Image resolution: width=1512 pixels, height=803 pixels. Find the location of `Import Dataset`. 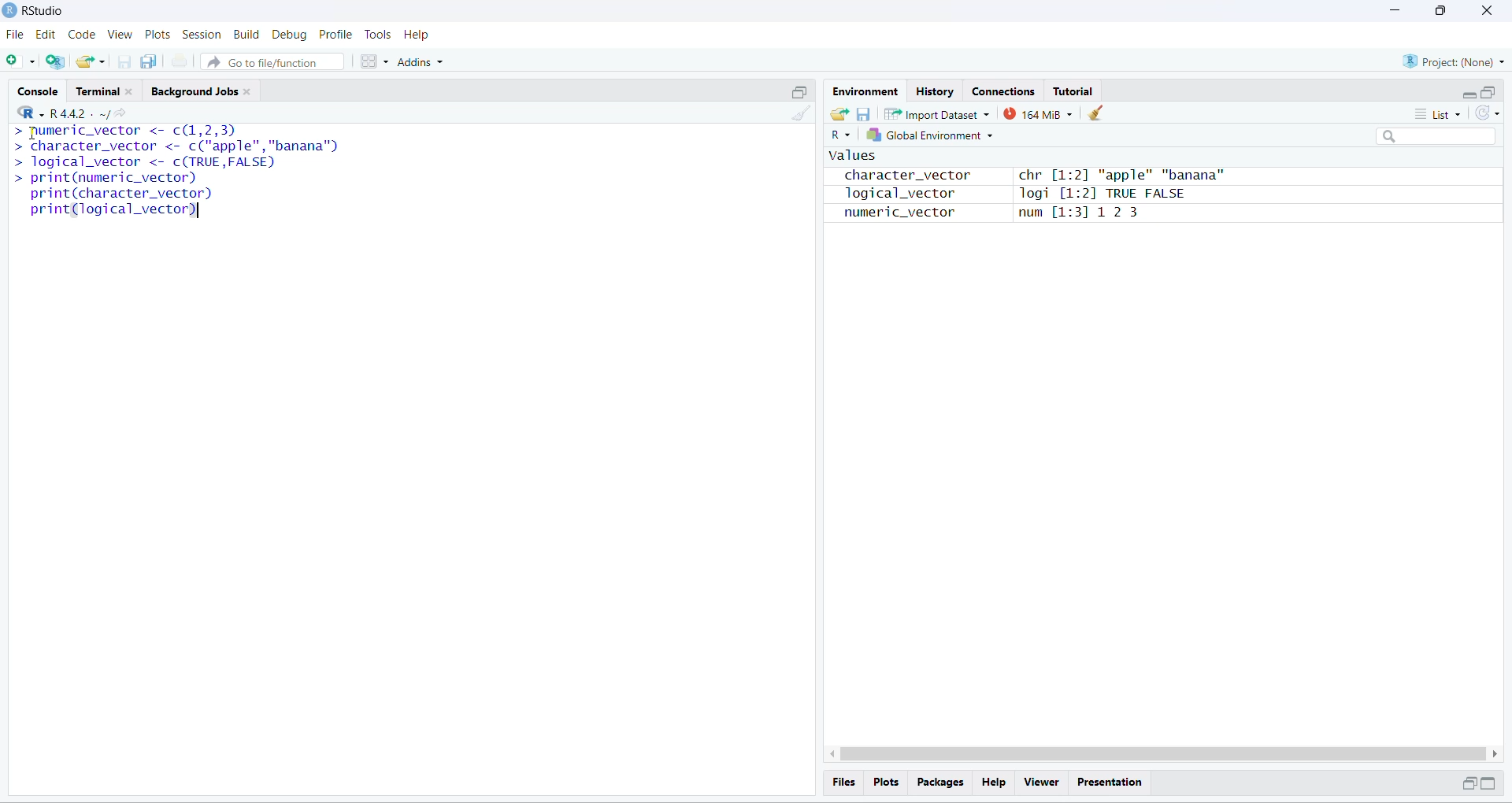

Import Dataset is located at coordinates (936, 114).